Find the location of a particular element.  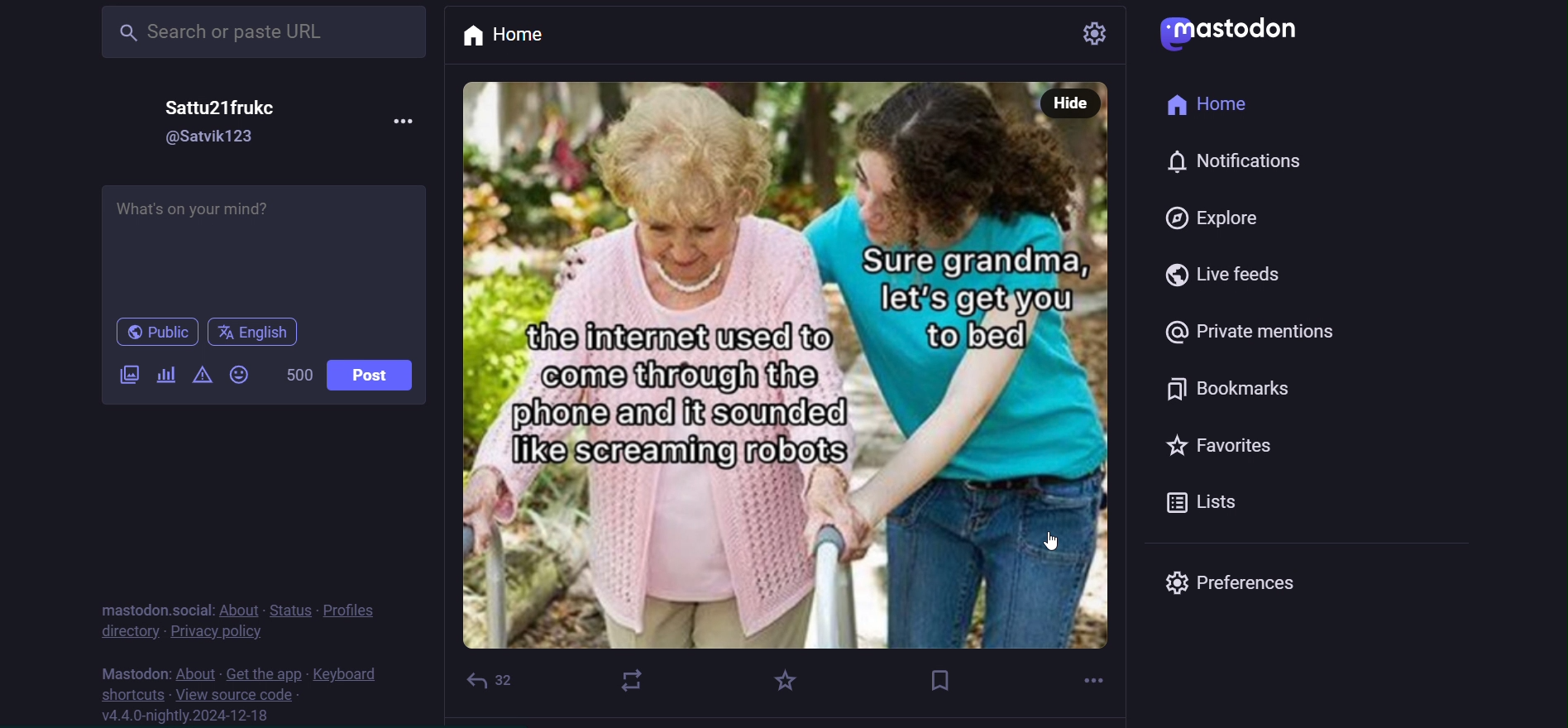

live feed is located at coordinates (1236, 272).